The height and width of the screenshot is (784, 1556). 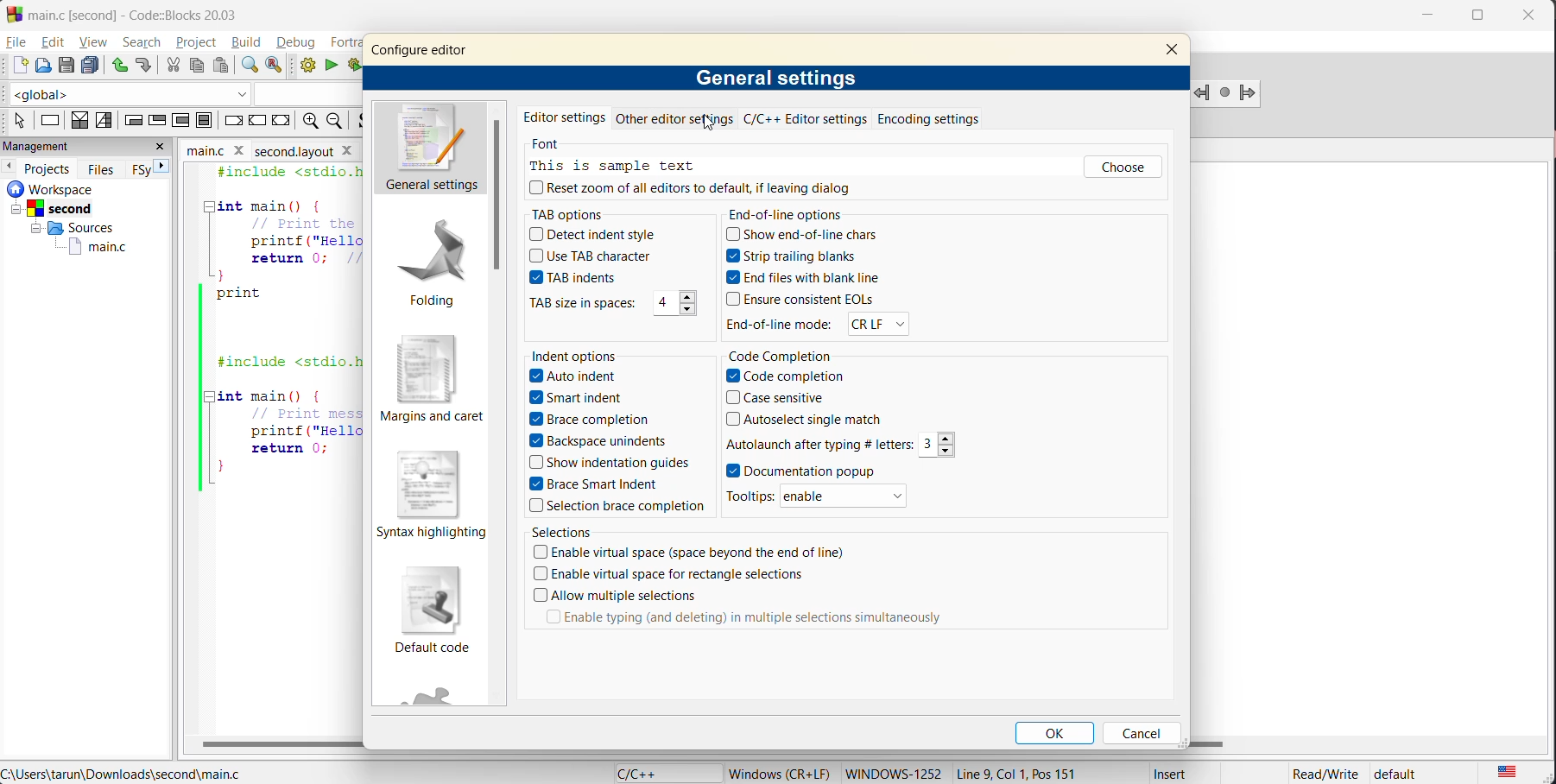 What do you see at coordinates (691, 188) in the screenshot?
I see `reset zoom all editors to default` at bounding box center [691, 188].